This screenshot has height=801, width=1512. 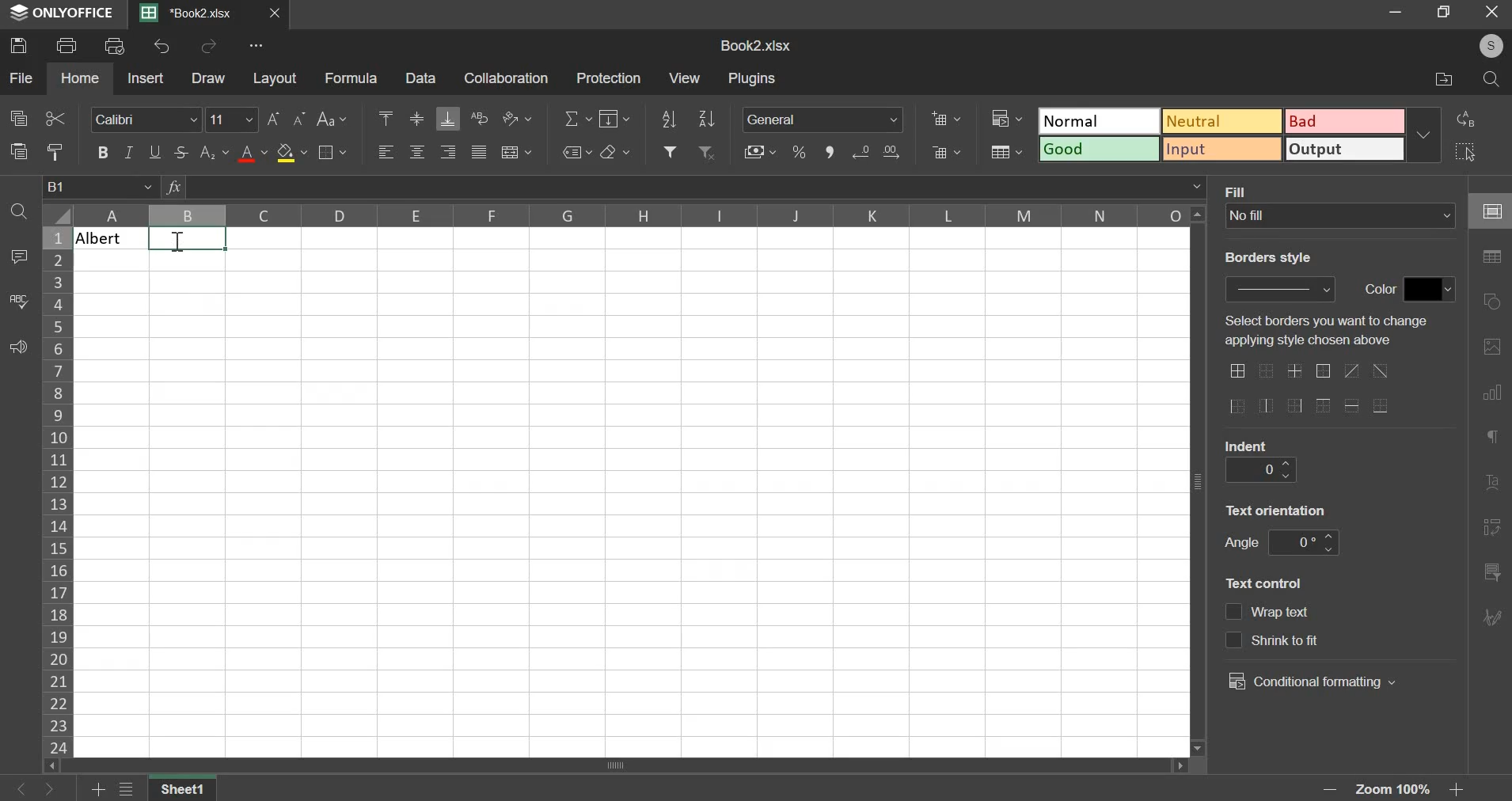 What do you see at coordinates (116, 44) in the screenshot?
I see `print preview` at bounding box center [116, 44].